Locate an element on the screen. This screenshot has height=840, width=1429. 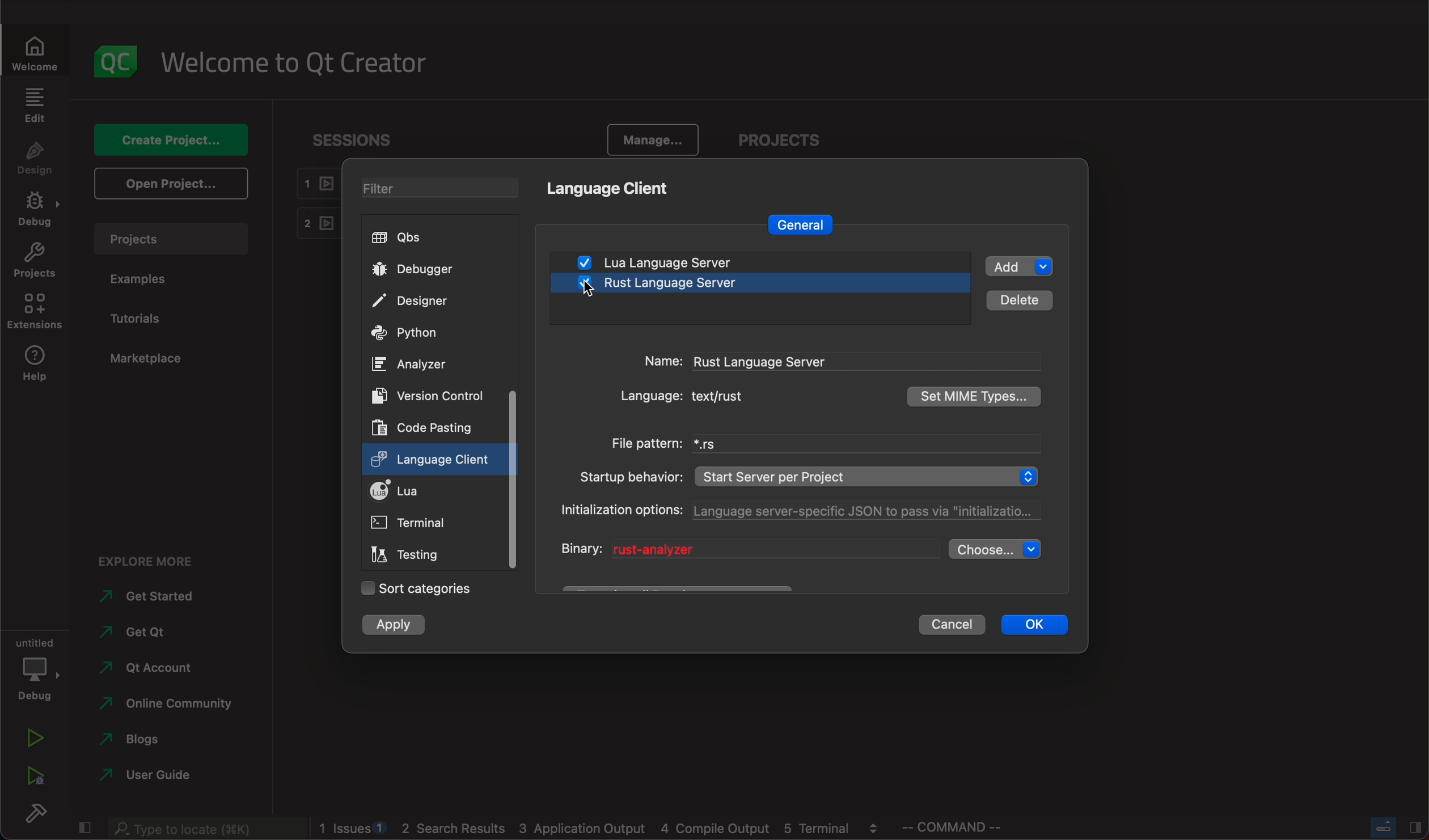
ANALYZER is located at coordinates (418, 364).